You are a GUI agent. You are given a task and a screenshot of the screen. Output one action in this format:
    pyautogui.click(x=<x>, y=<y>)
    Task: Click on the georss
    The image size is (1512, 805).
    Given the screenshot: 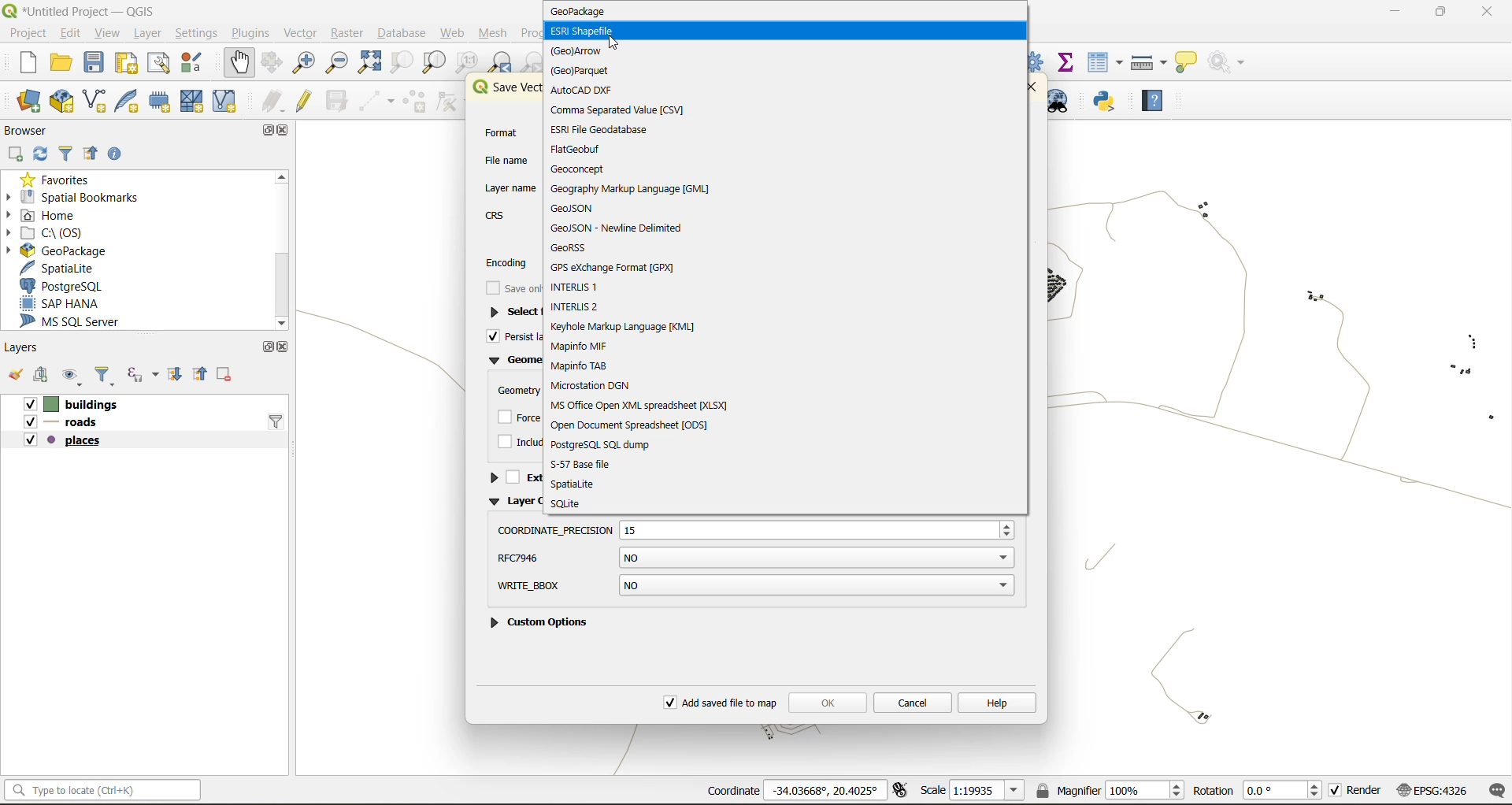 What is the action you would take?
    pyautogui.click(x=576, y=250)
    